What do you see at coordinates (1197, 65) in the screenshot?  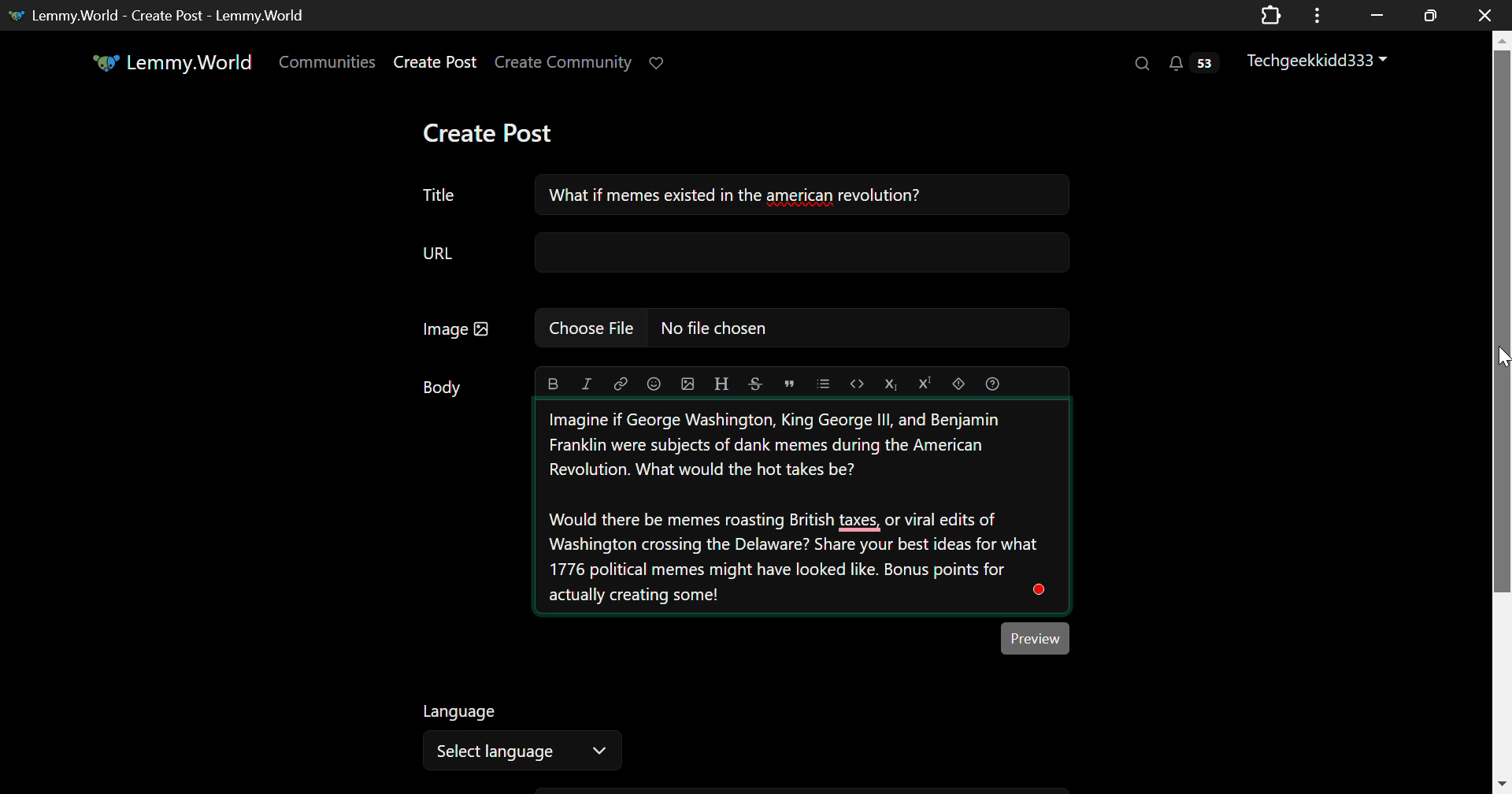 I see `Notifications` at bounding box center [1197, 65].